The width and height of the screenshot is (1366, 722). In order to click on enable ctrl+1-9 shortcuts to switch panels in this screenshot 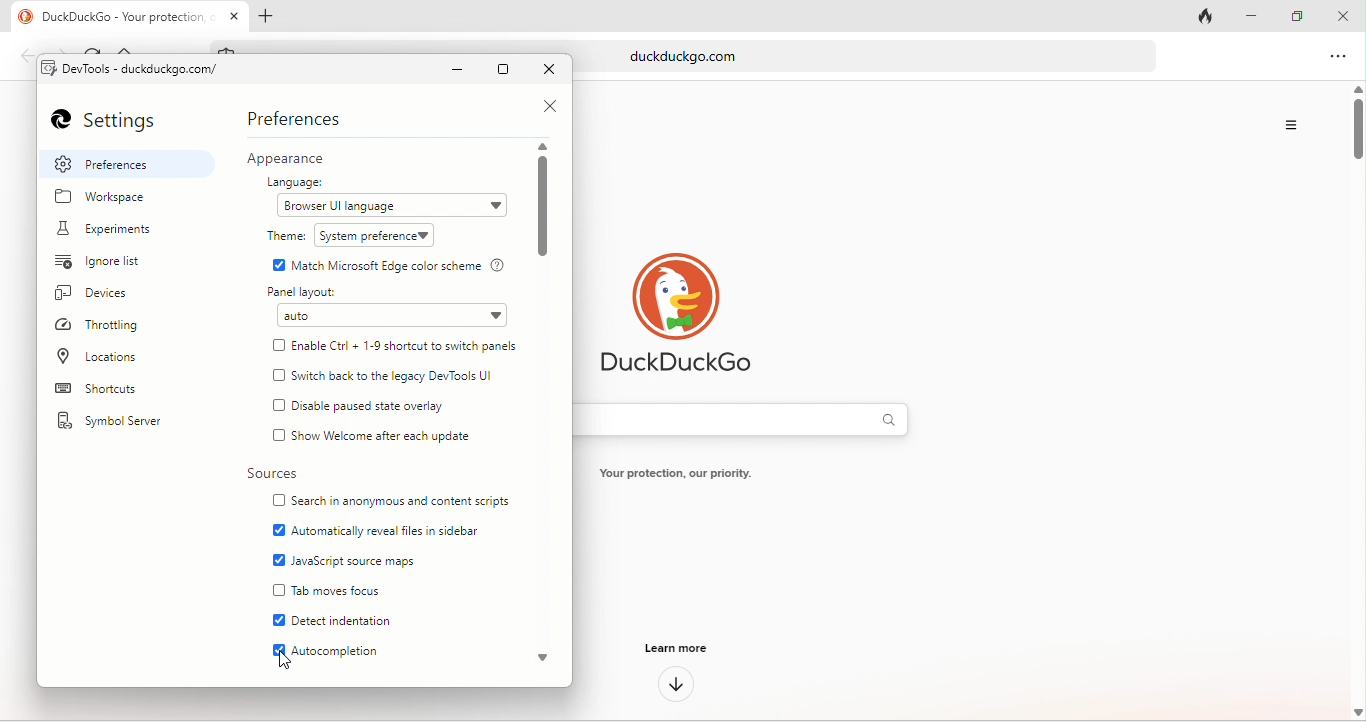, I will do `click(410, 344)`.